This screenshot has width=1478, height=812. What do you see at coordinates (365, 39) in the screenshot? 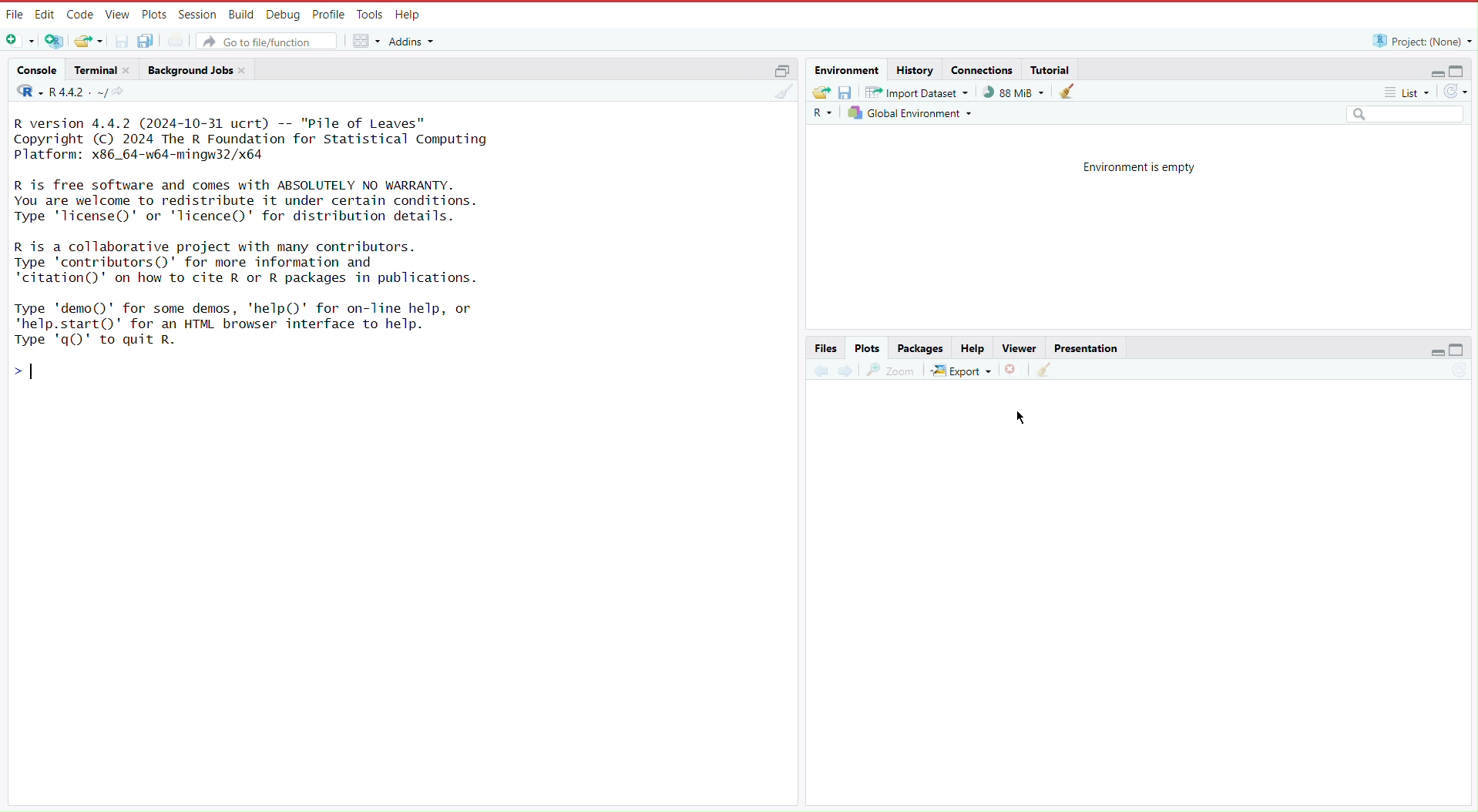
I see `Workspace panes` at bounding box center [365, 39].